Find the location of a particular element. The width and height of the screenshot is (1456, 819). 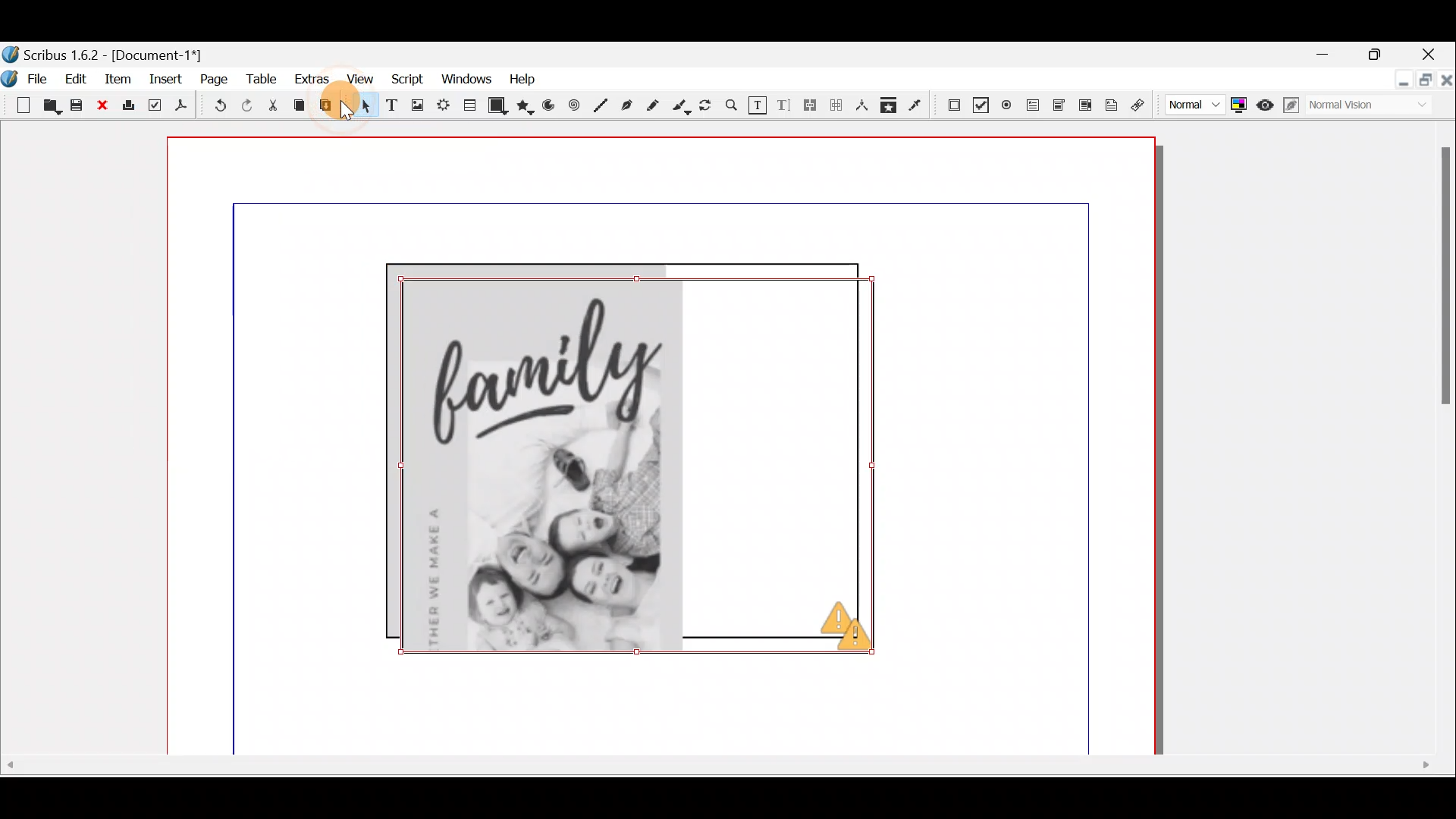

PDF radio button is located at coordinates (1006, 104).